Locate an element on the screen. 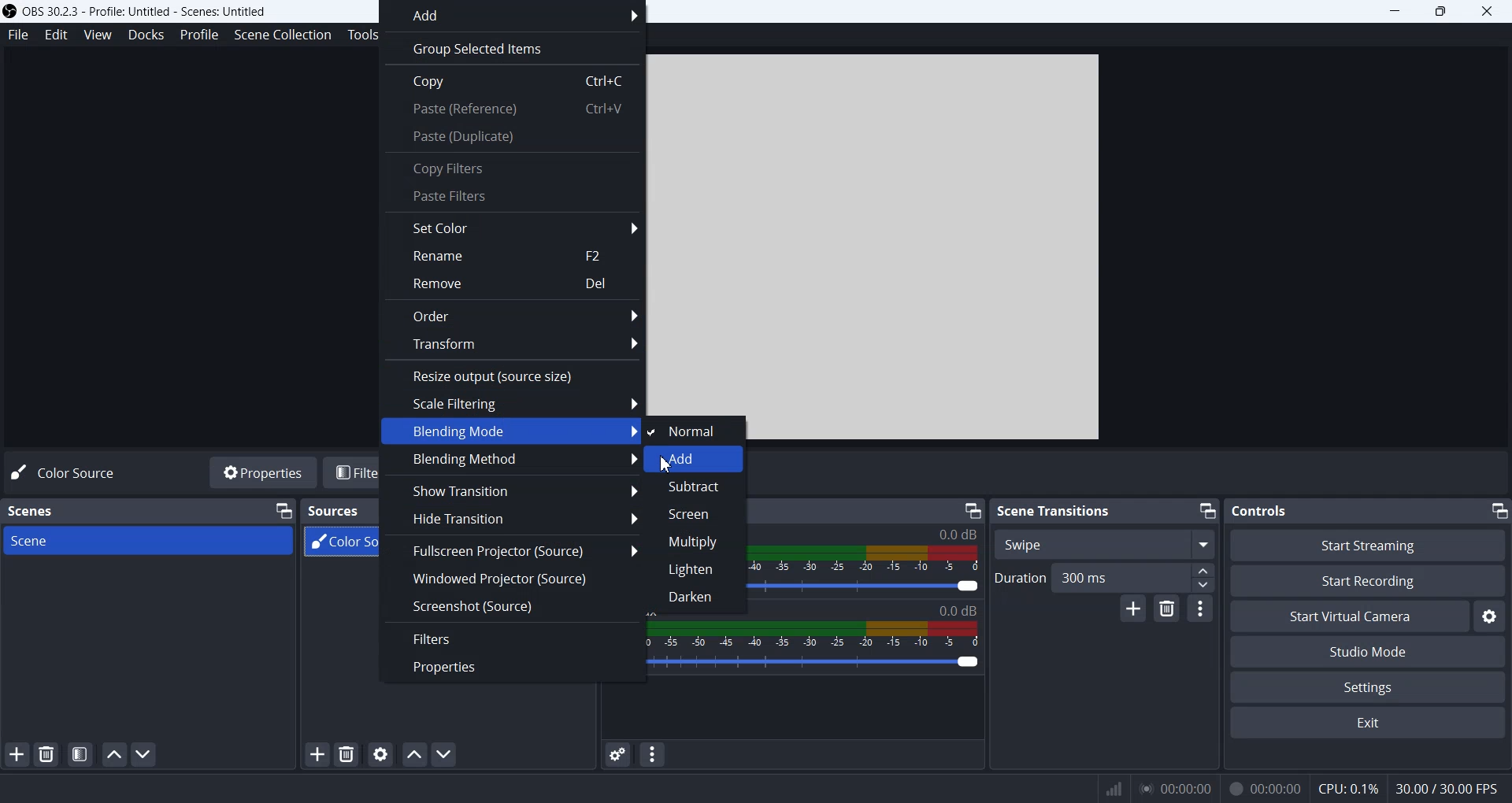 This screenshot has height=803, width=1512. Add is located at coordinates (515, 15).